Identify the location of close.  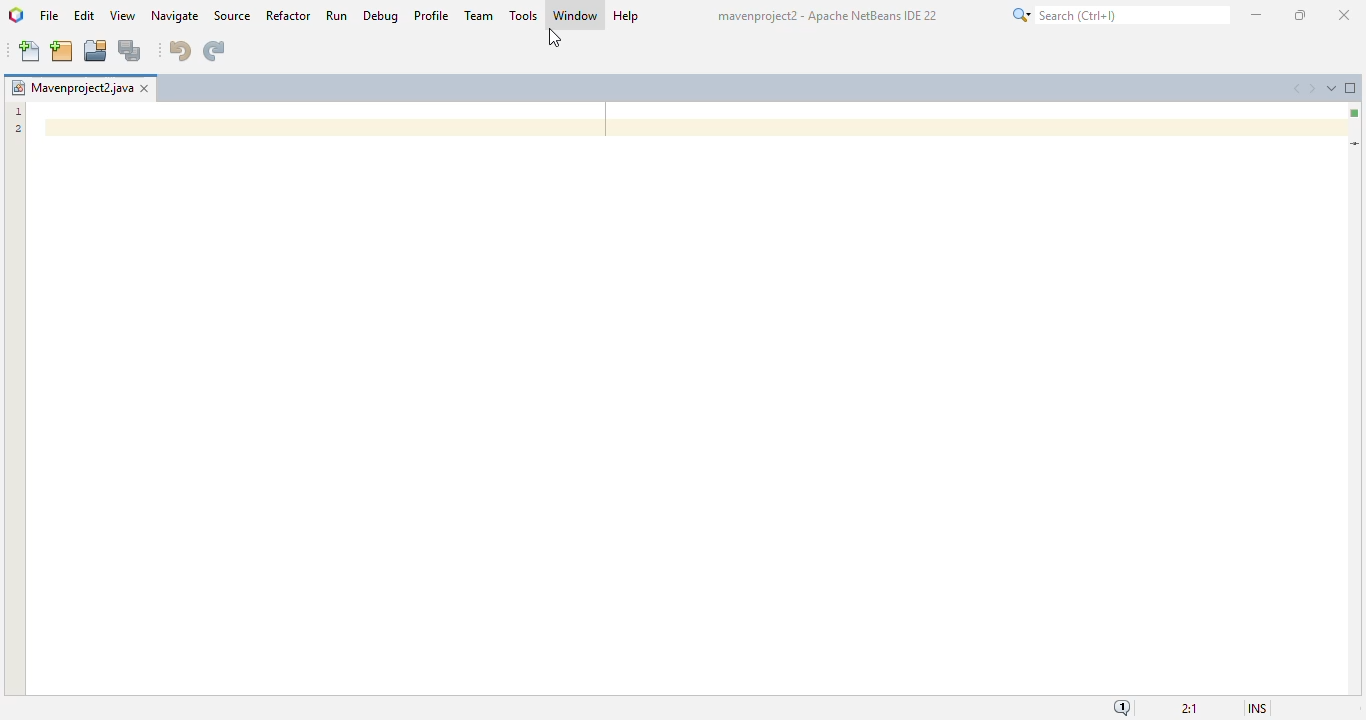
(1346, 15).